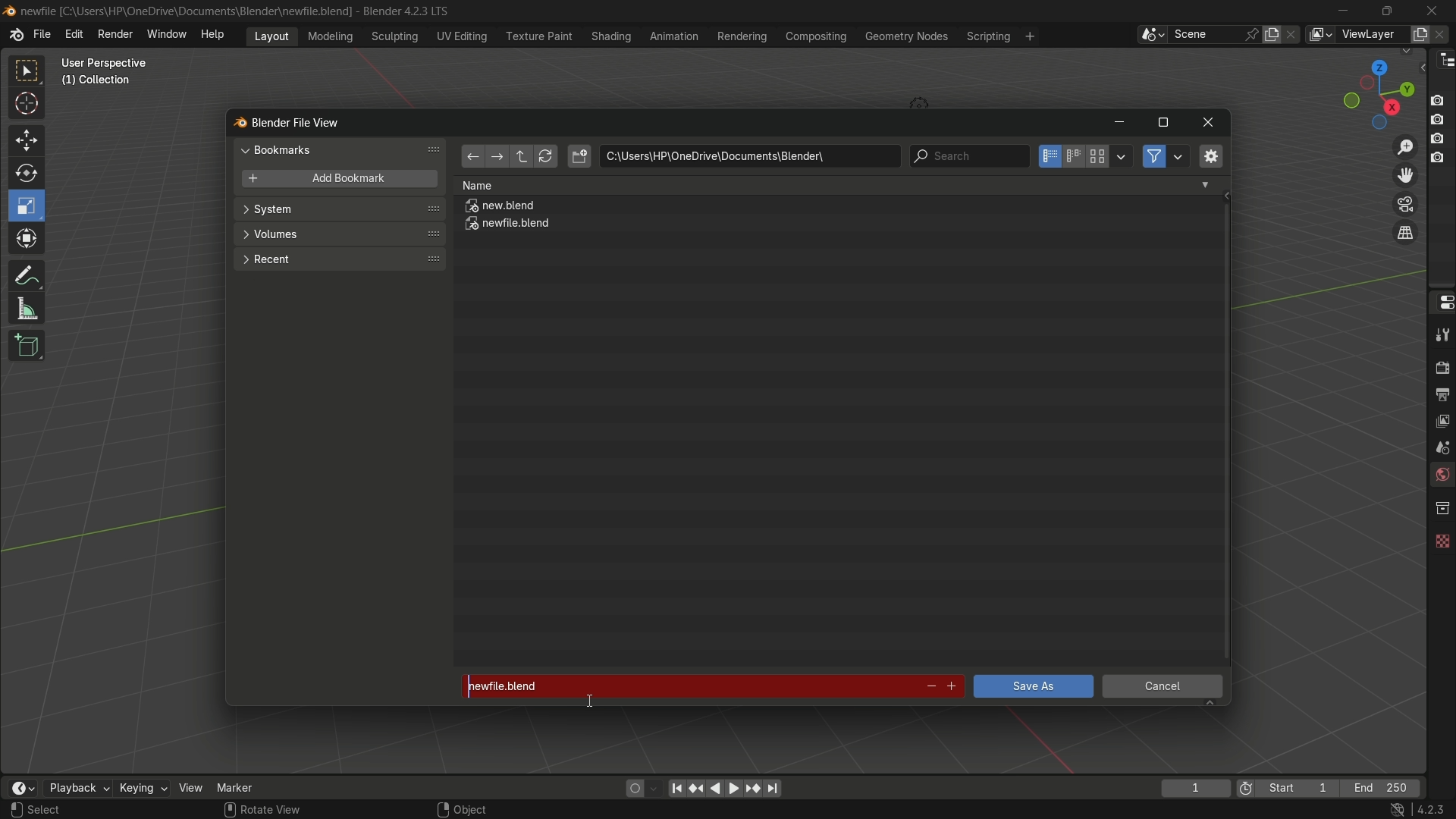  I want to click on first frame of the playback, so click(1288, 788).